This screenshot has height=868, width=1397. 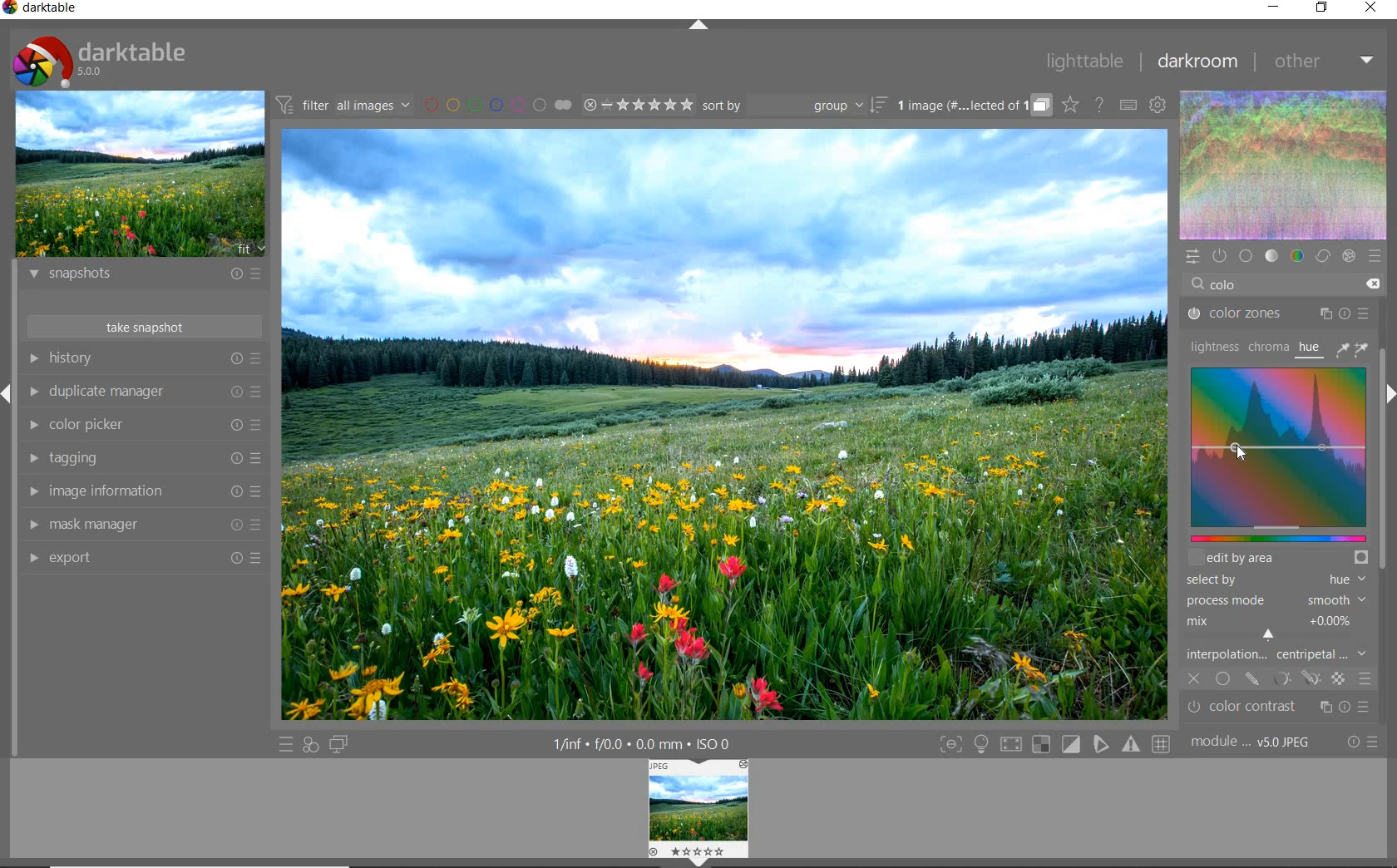 What do you see at coordinates (1276, 708) in the screenshot?
I see `graduated density` at bounding box center [1276, 708].